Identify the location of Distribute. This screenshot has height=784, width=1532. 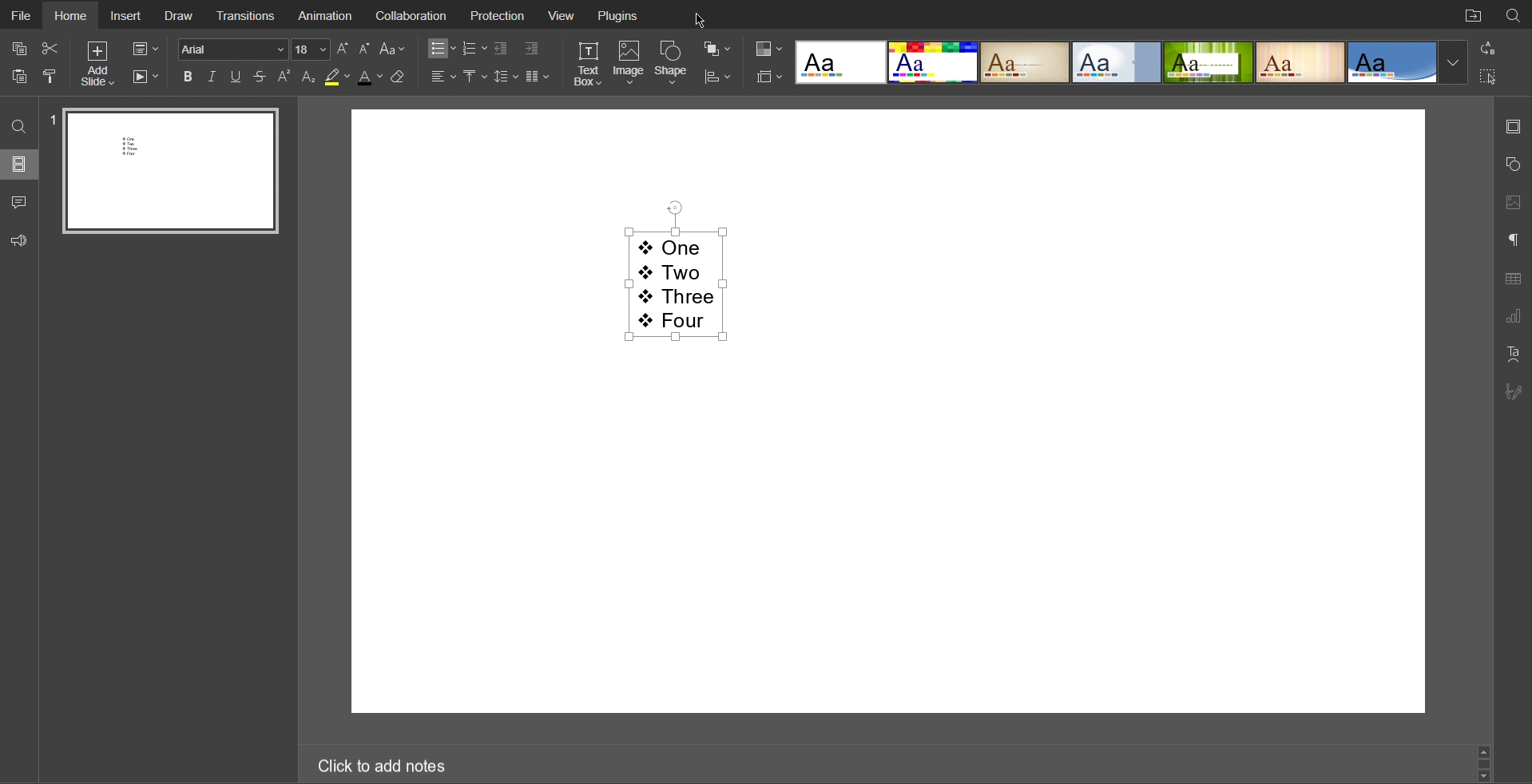
(717, 79).